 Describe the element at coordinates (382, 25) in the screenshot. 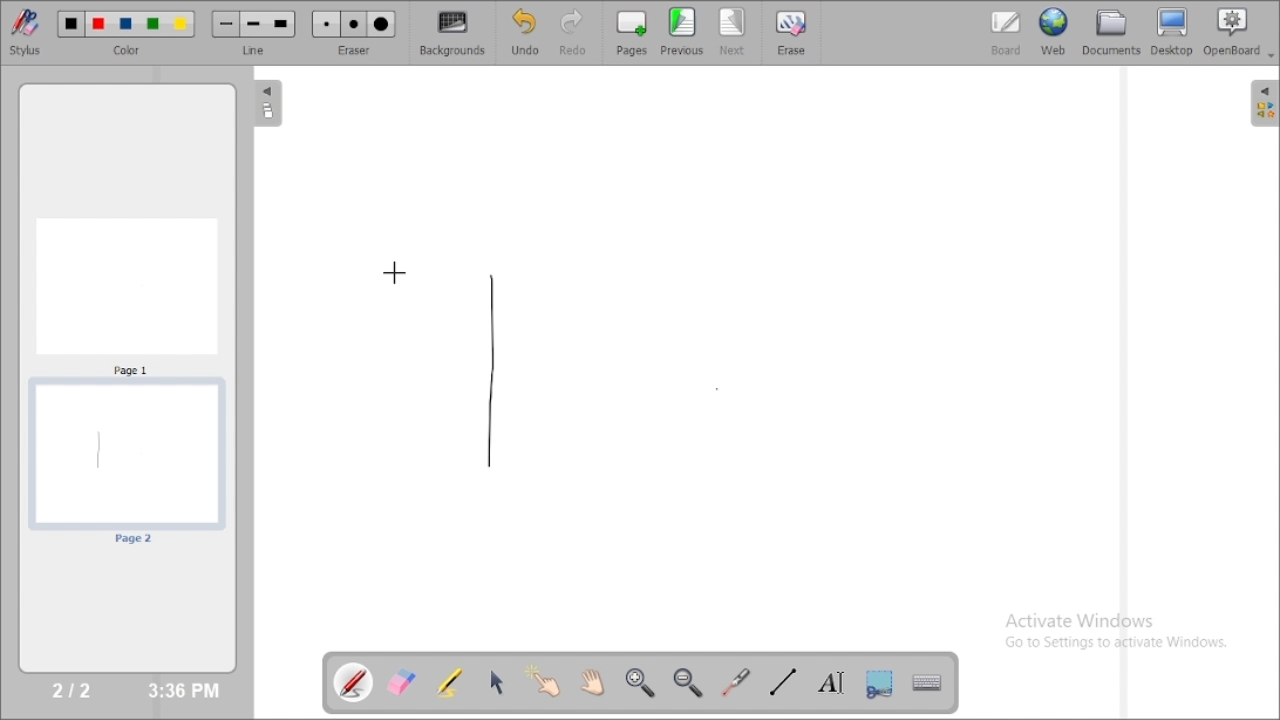

I see `Large eraser` at that location.